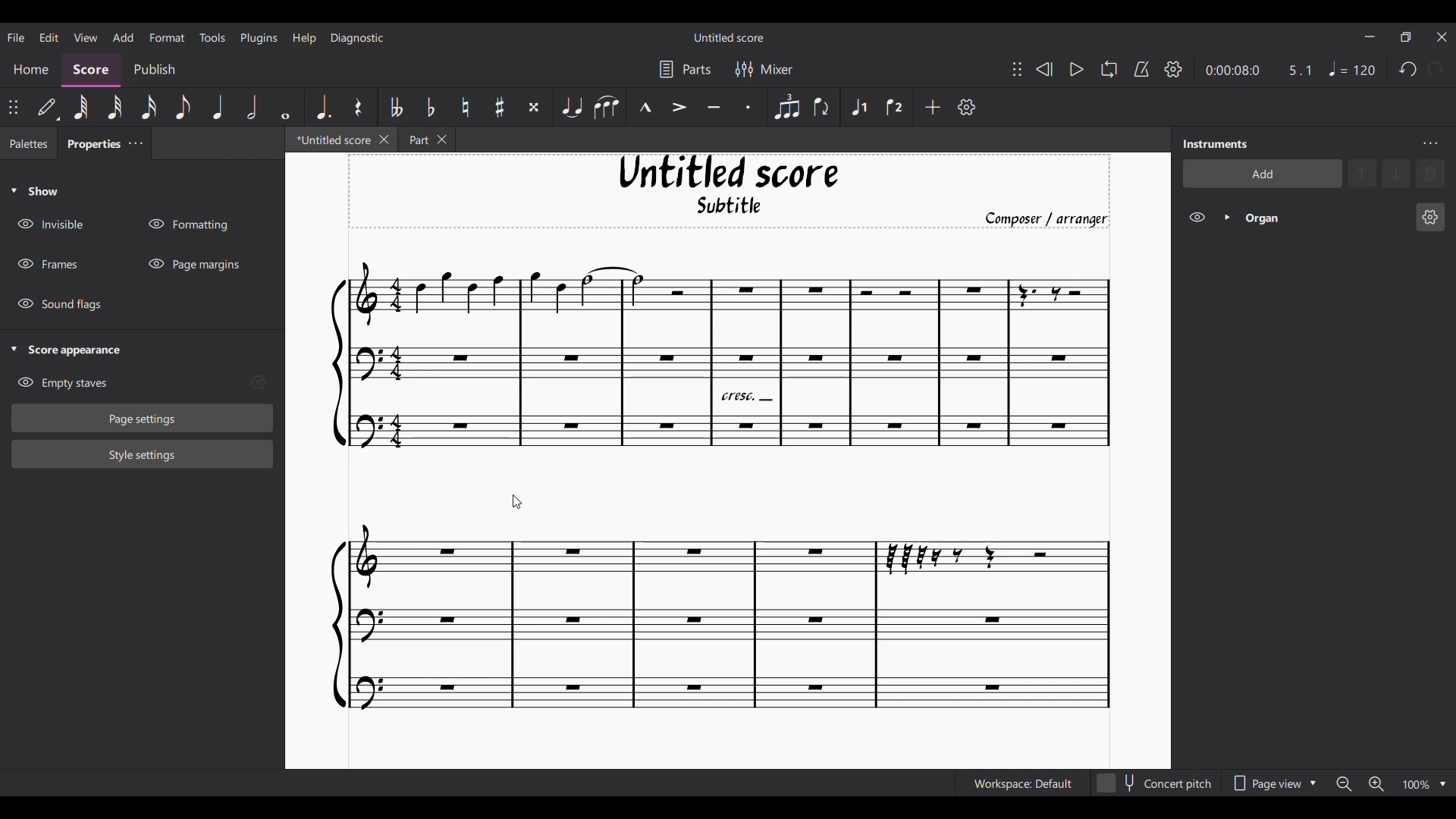 The image size is (1456, 819). I want to click on Organ settings, so click(1430, 217).